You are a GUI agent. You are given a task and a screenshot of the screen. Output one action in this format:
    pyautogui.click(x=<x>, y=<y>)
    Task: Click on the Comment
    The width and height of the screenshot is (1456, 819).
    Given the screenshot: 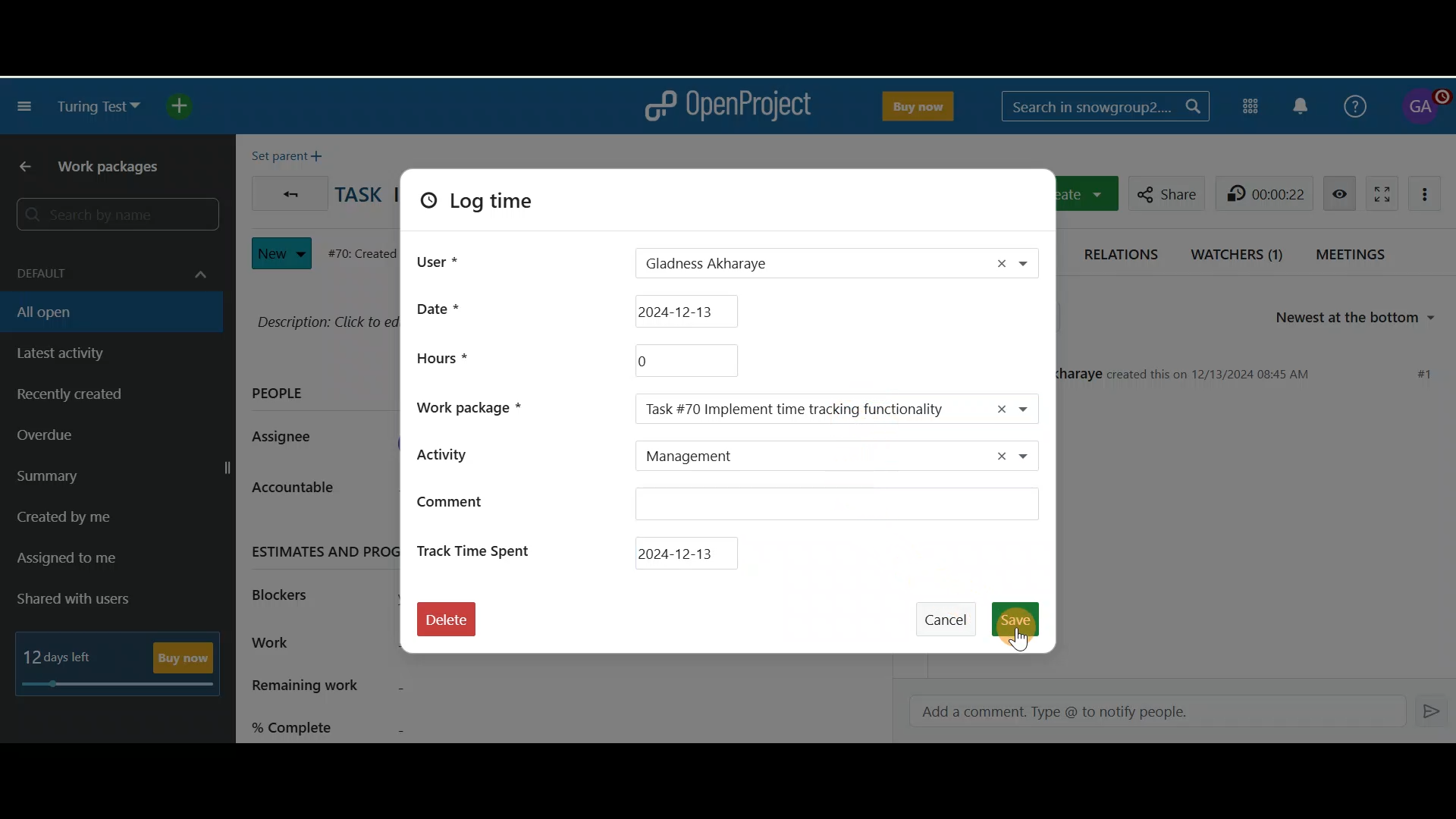 What is the action you would take?
    pyautogui.click(x=727, y=507)
    